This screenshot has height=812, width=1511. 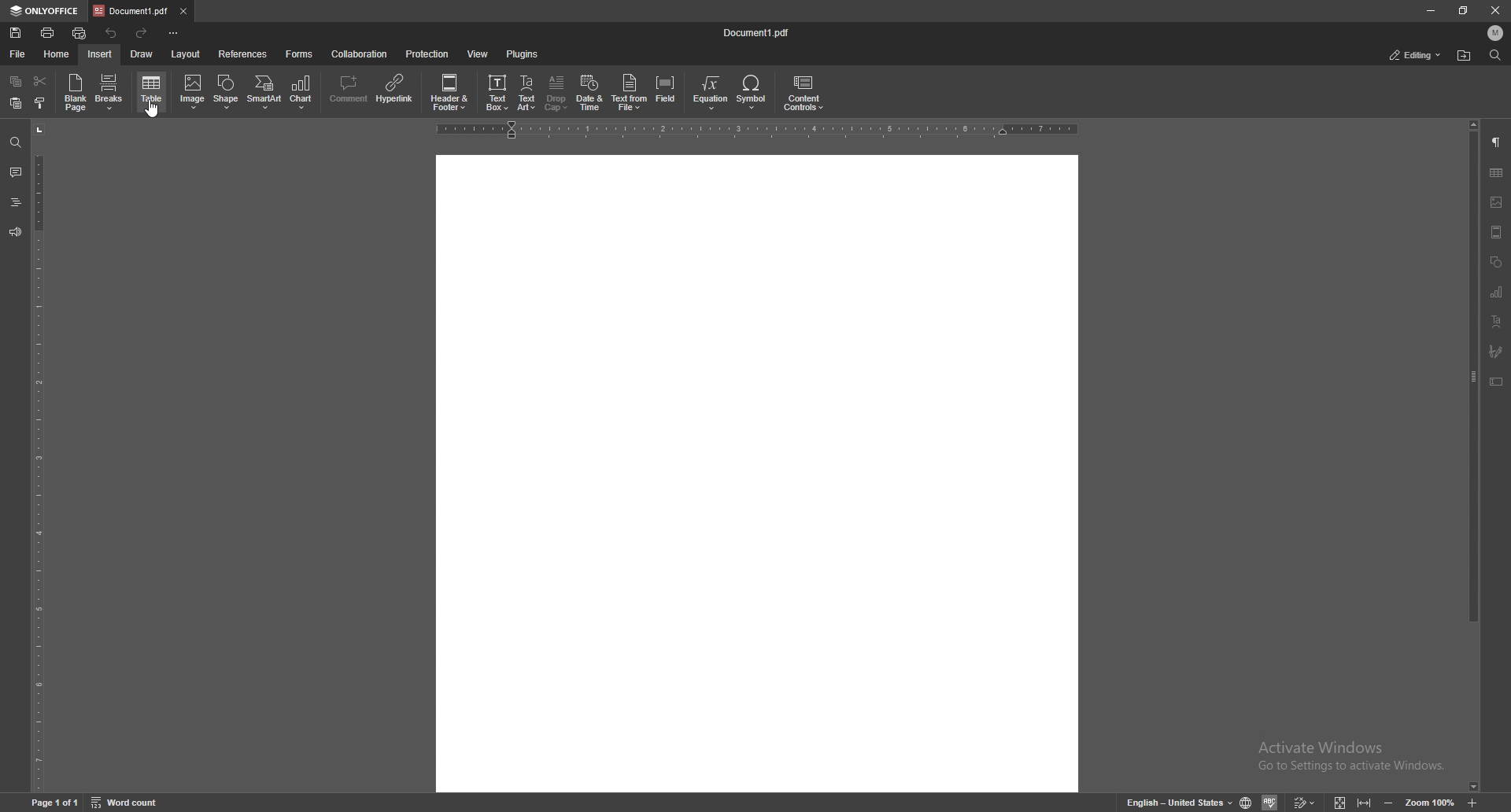 I want to click on word count, so click(x=125, y=802).